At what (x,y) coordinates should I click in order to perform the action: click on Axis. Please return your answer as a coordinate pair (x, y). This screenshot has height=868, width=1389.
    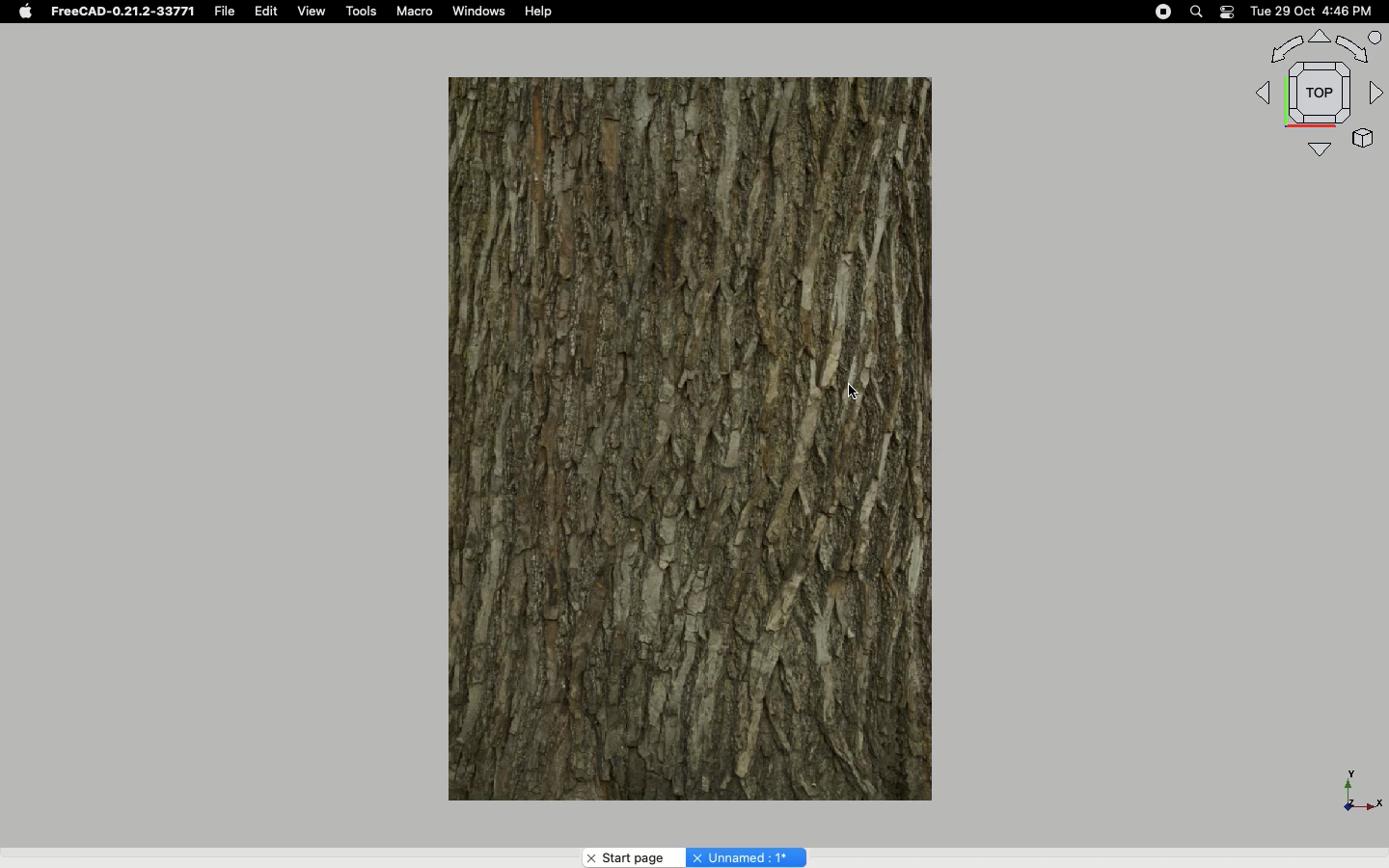
    Looking at the image, I should click on (1357, 786).